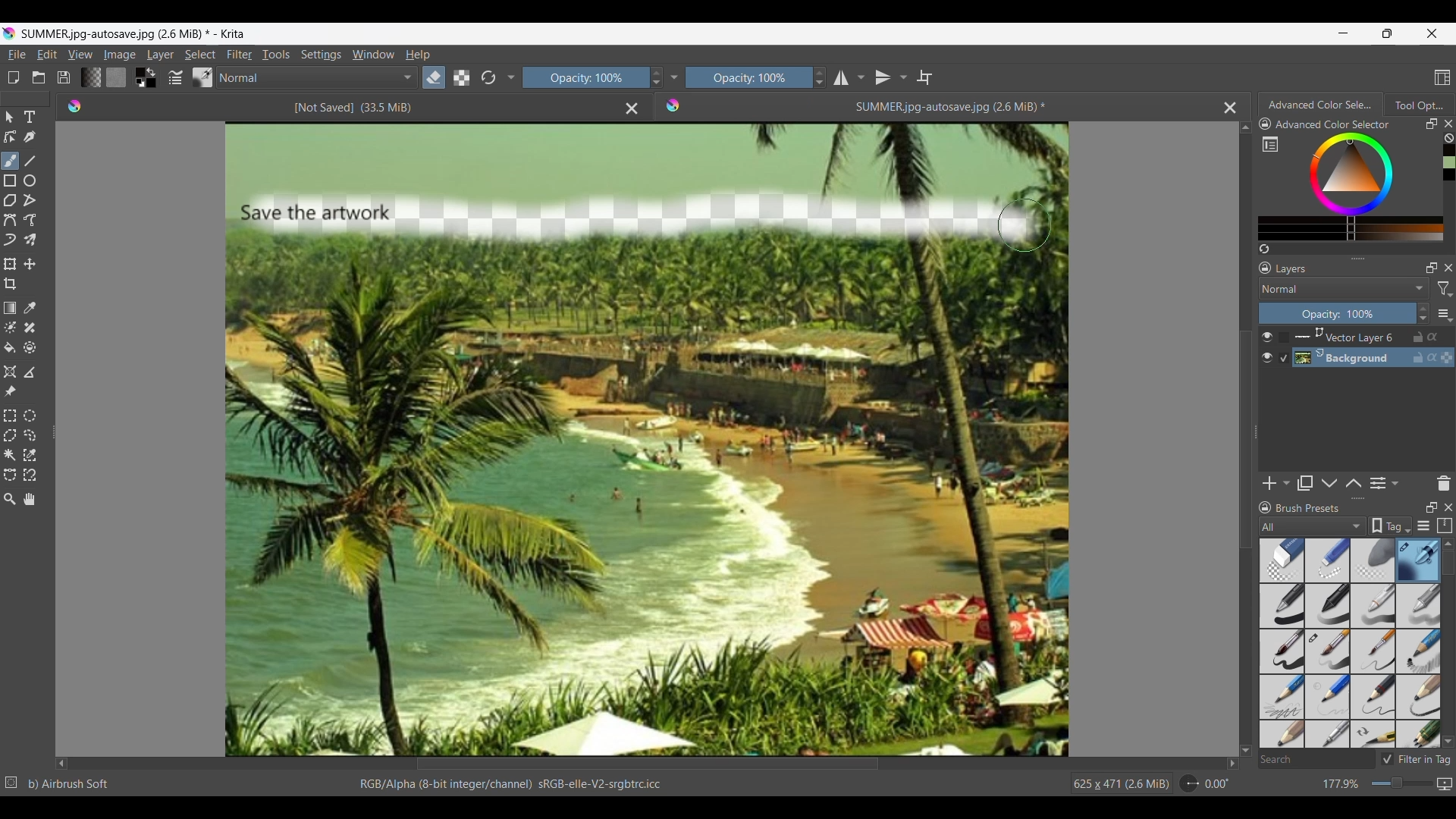 The width and height of the screenshot is (1456, 819). Describe the element at coordinates (30, 372) in the screenshot. I see `Measure the distance between two points` at that location.